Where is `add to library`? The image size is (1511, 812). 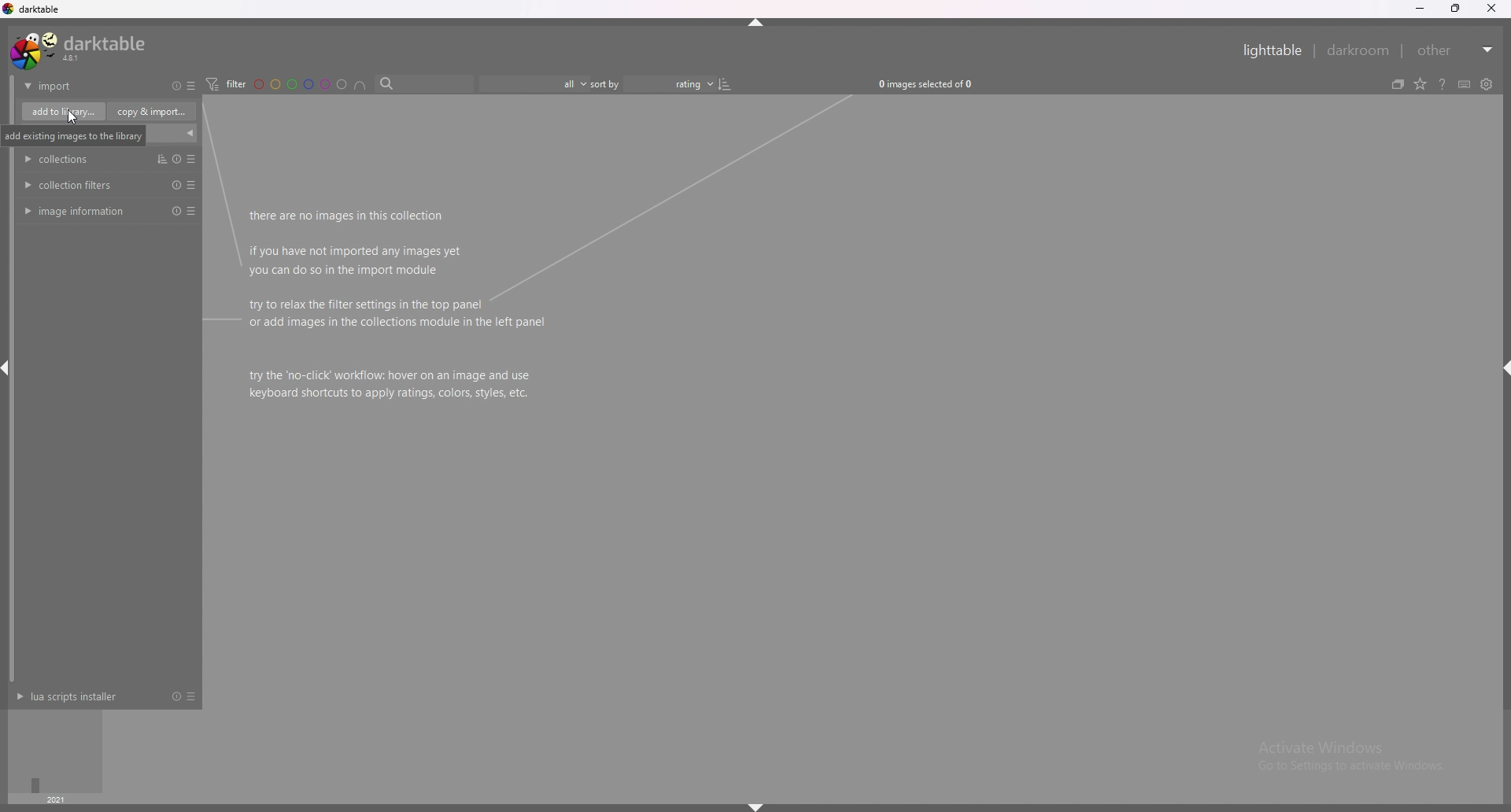
add to library is located at coordinates (64, 112).